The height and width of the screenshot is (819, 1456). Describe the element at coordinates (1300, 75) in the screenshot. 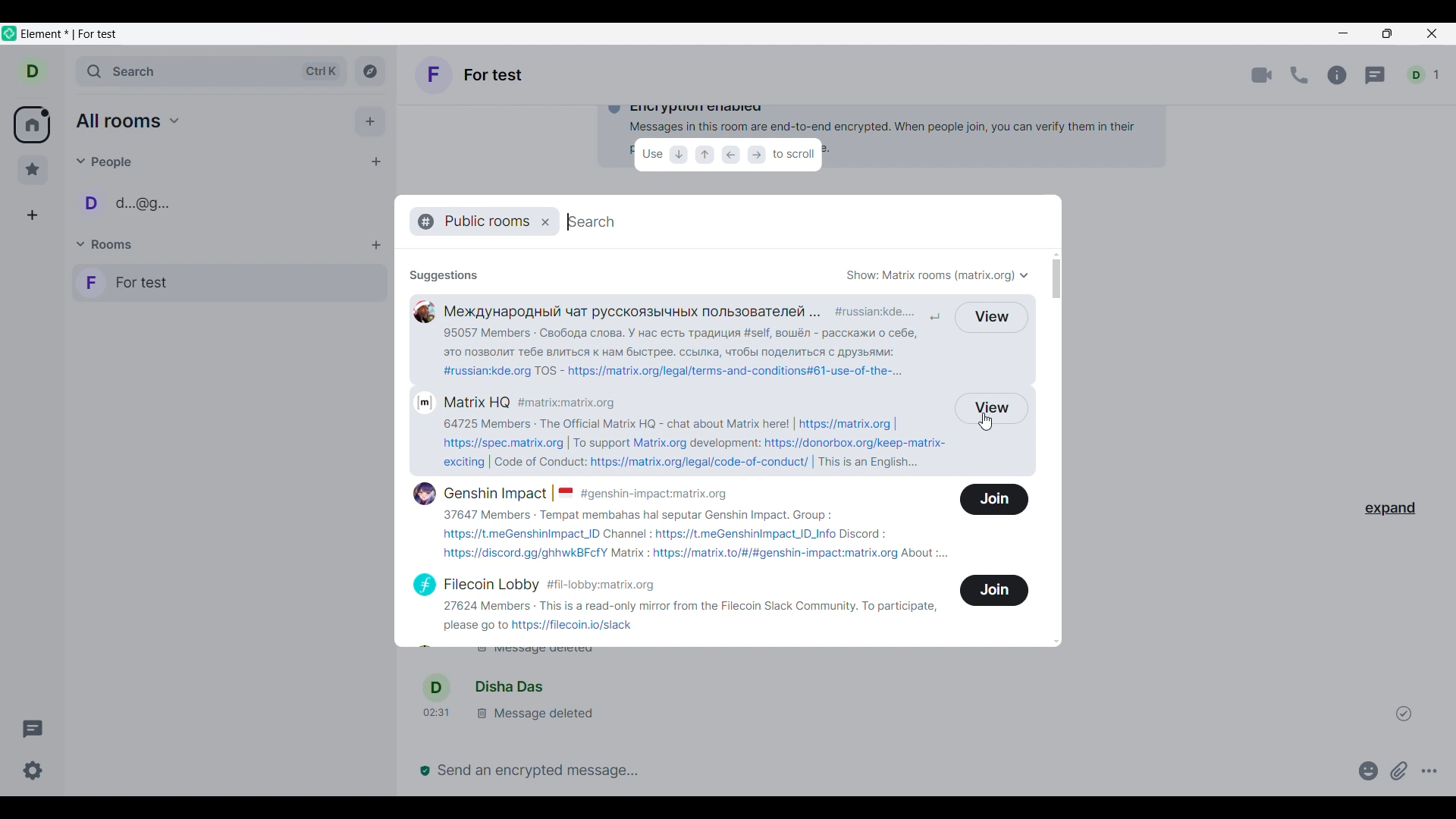

I see `Call` at that location.